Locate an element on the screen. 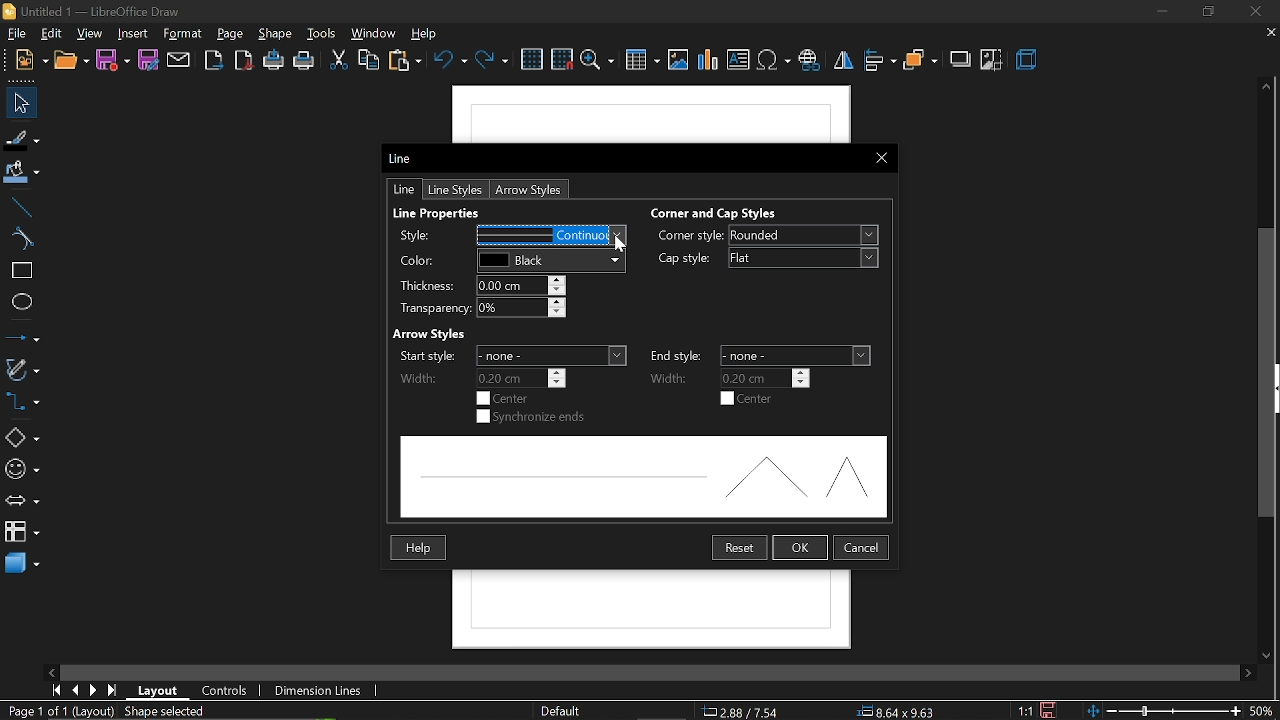  minimize is located at coordinates (1162, 12).